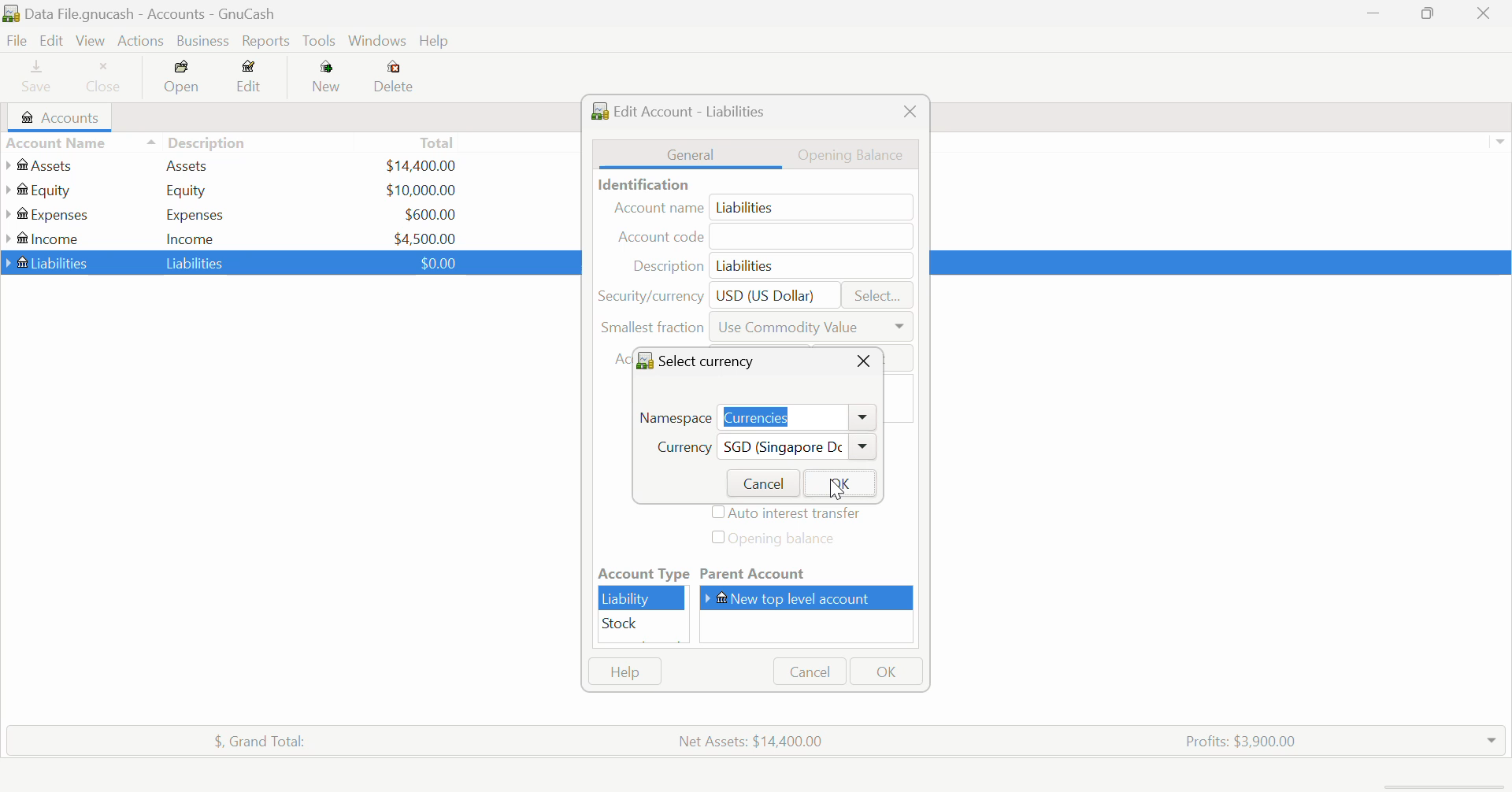 The height and width of the screenshot is (792, 1512). Describe the element at coordinates (189, 190) in the screenshot. I see `Equity` at that location.